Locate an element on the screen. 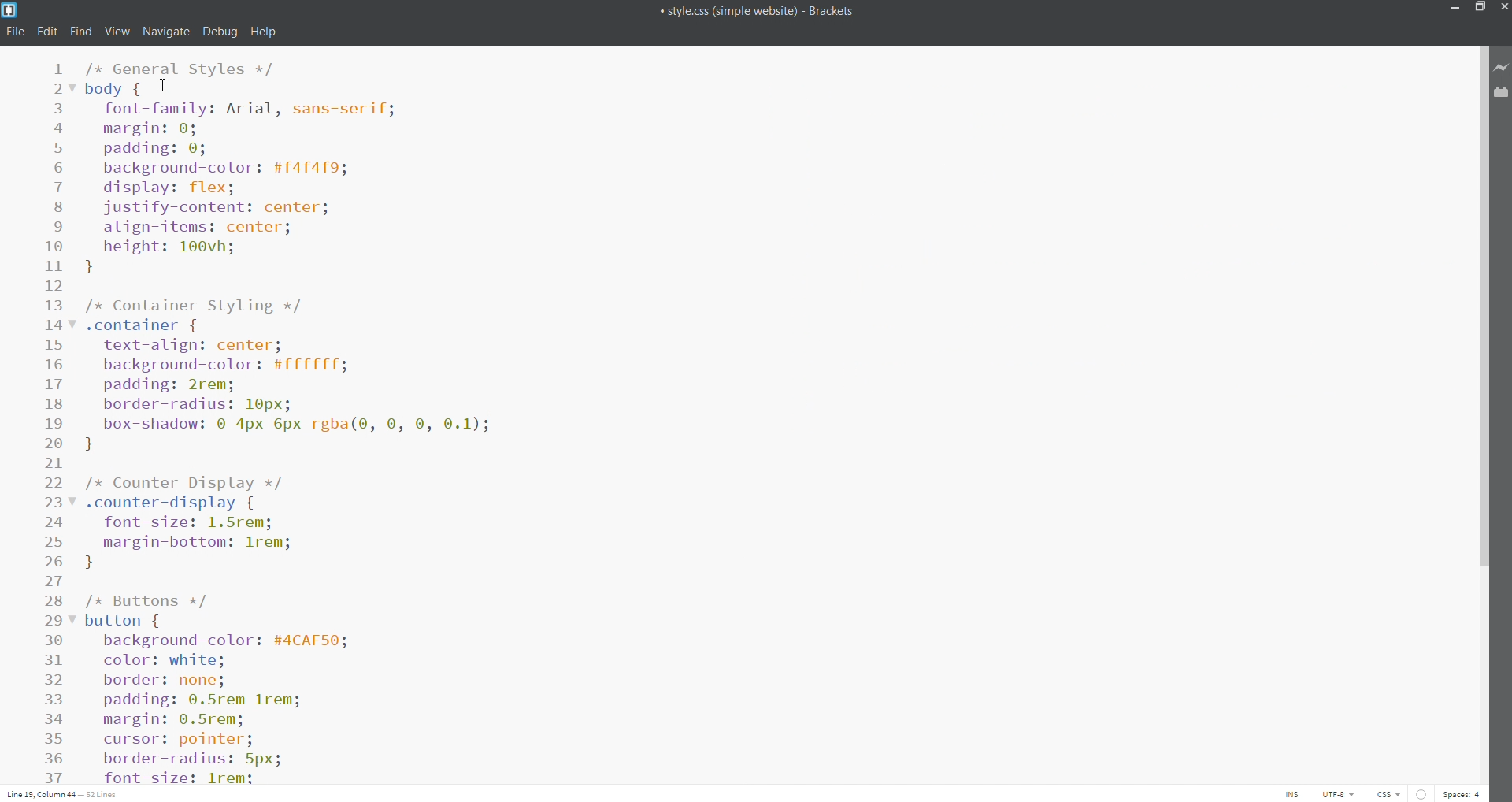 The image size is (1512, 802). Cursor is located at coordinates (165, 85).